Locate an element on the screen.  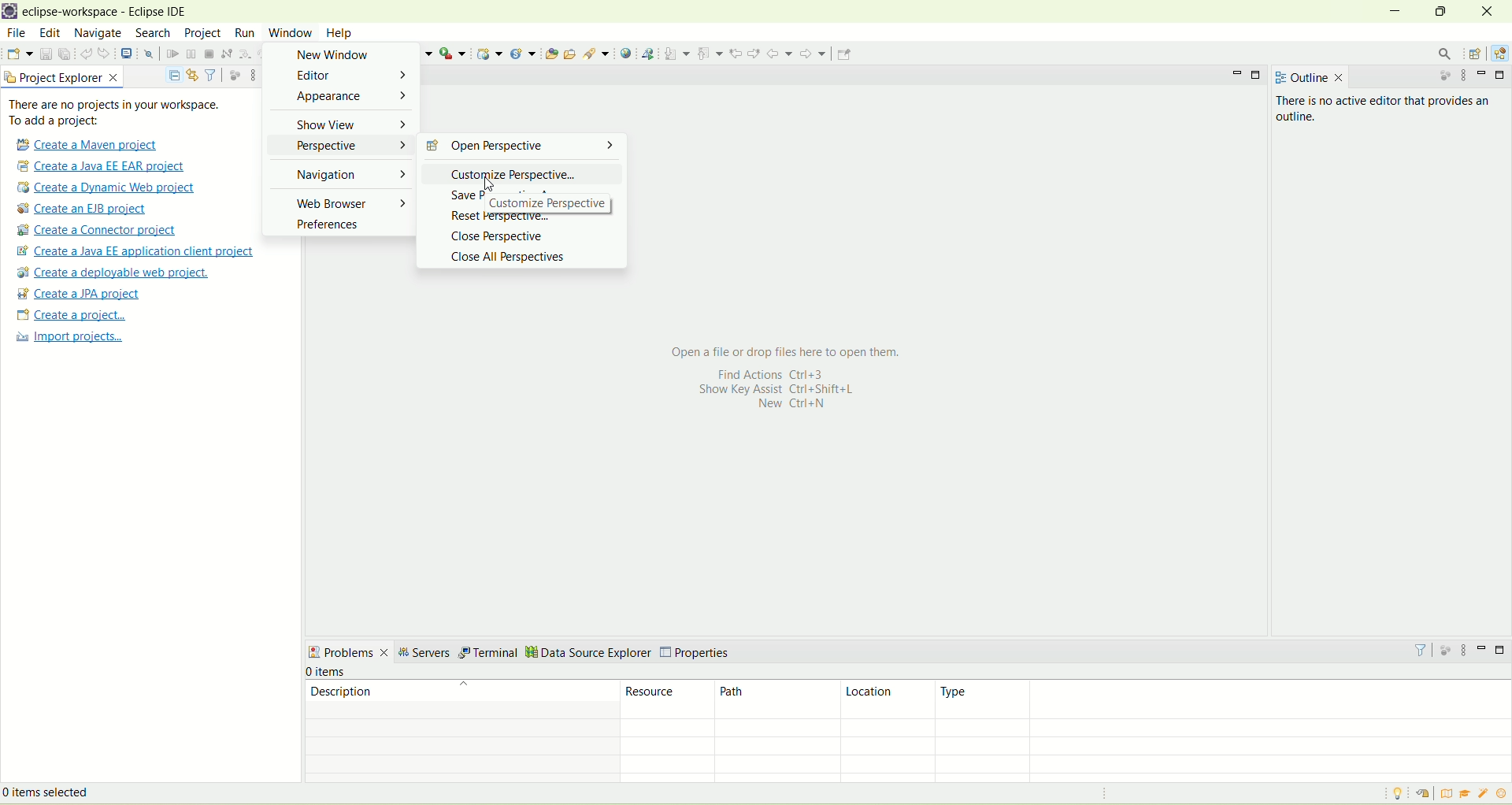
filter is located at coordinates (211, 75).